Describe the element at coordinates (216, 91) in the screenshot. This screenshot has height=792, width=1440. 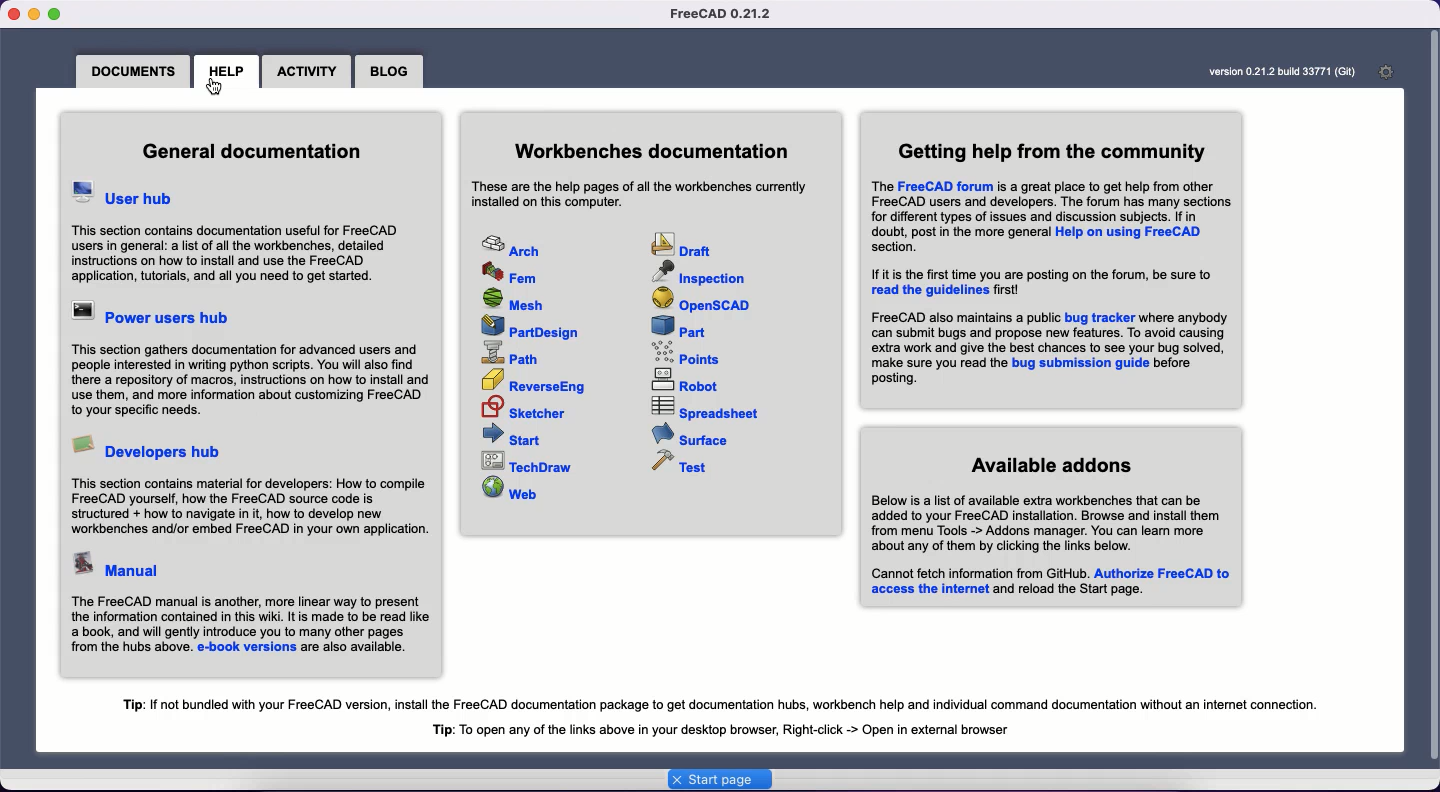
I see `cursor` at that location.